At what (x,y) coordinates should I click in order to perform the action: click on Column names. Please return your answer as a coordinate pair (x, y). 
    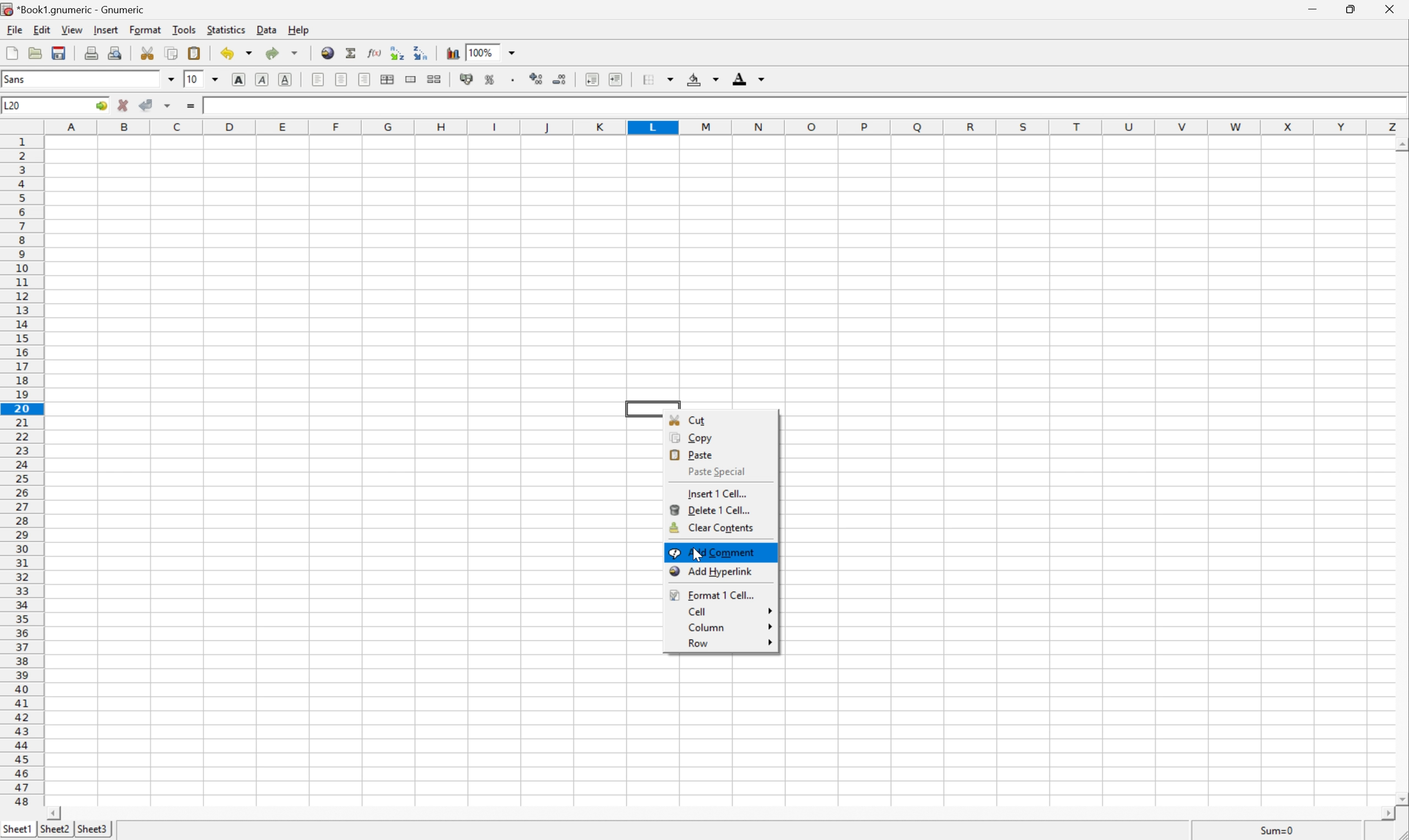
    Looking at the image, I should click on (727, 127).